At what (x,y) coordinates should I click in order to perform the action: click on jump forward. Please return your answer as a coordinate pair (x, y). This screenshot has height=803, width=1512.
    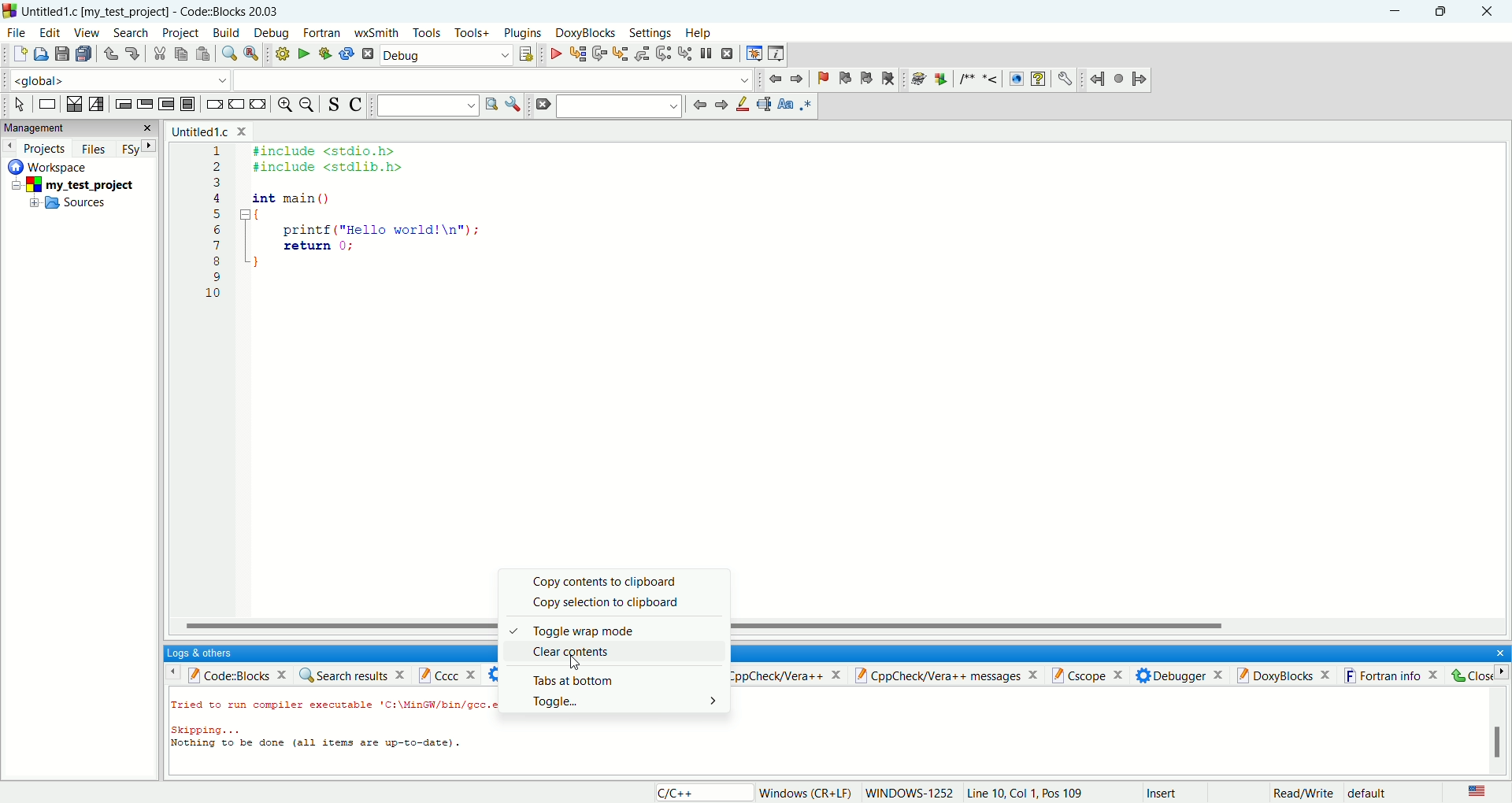
    Looking at the image, I should click on (721, 105).